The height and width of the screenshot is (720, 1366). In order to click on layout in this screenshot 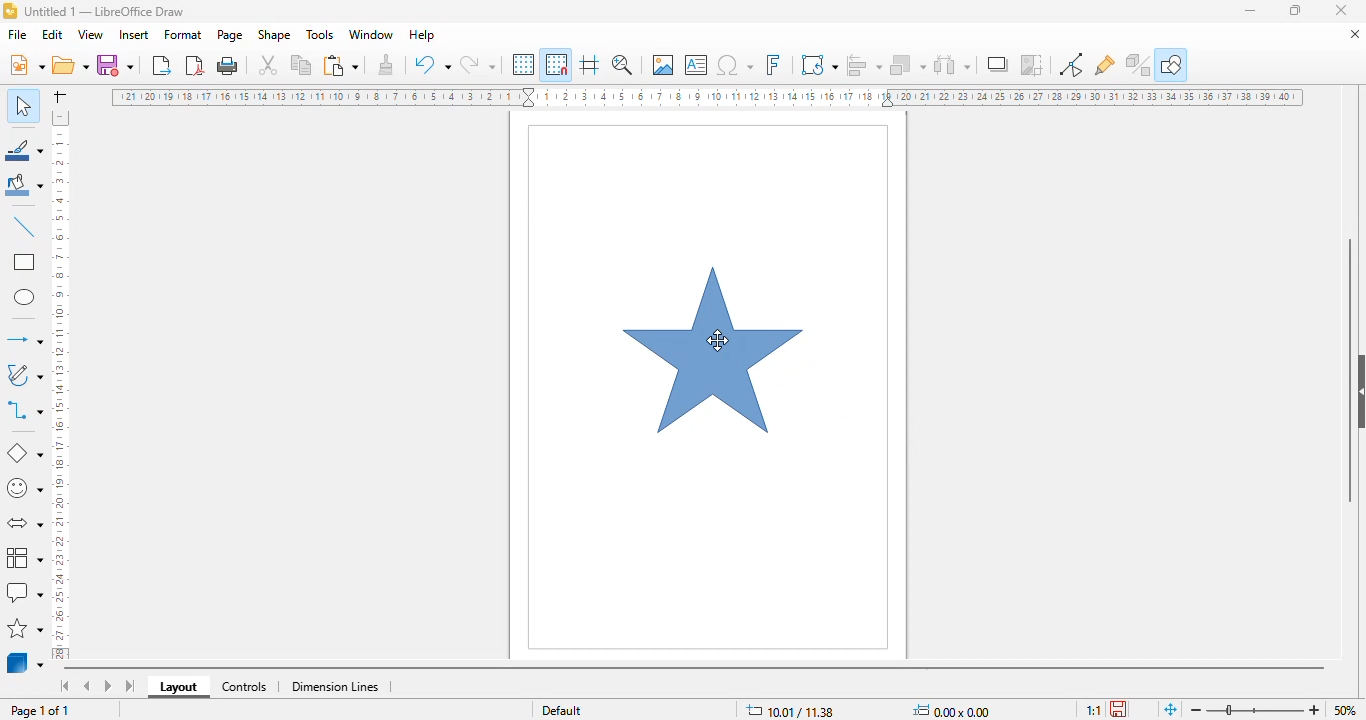, I will do `click(178, 687)`.